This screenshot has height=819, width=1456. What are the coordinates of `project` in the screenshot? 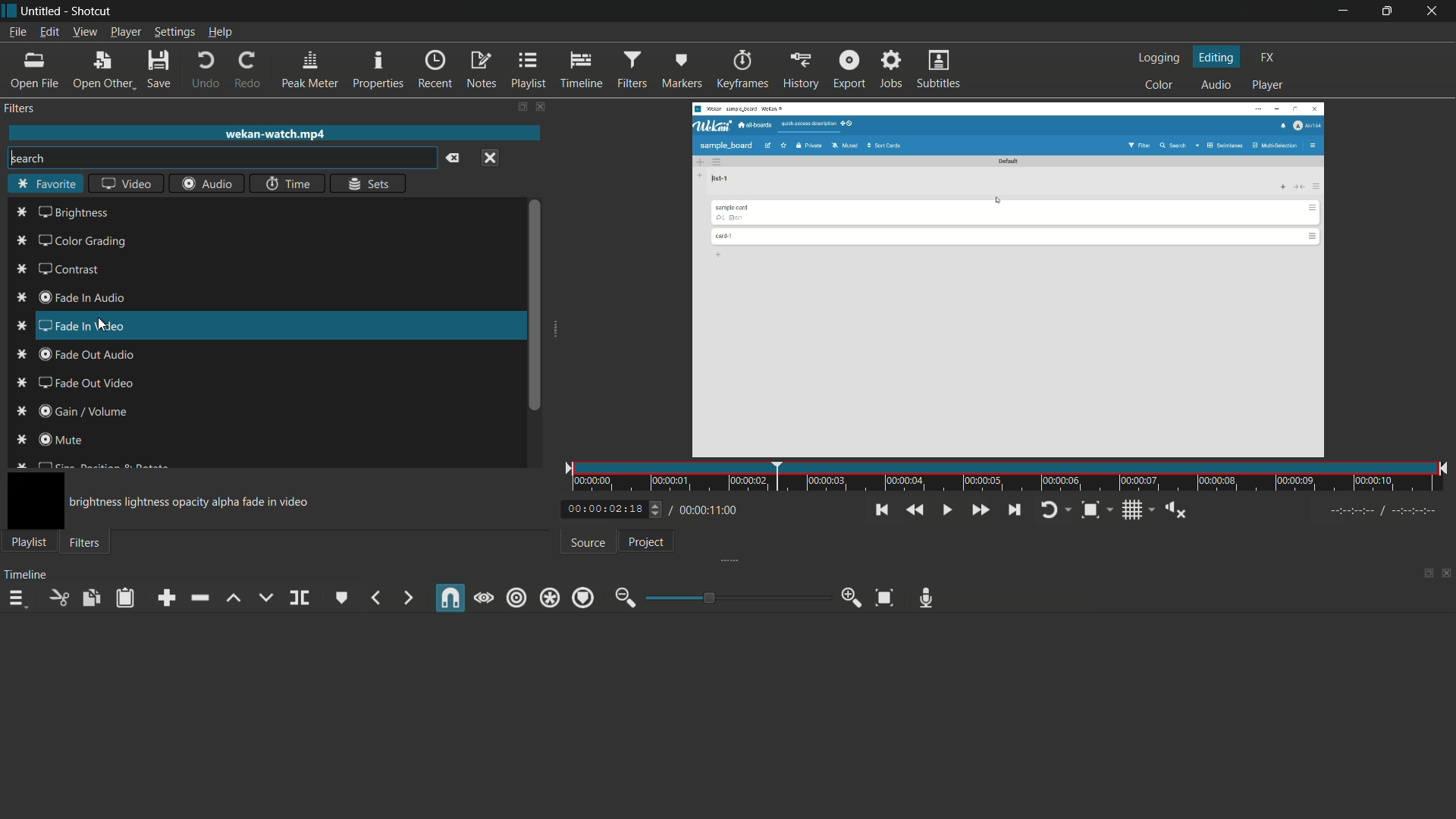 It's located at (648, 541).